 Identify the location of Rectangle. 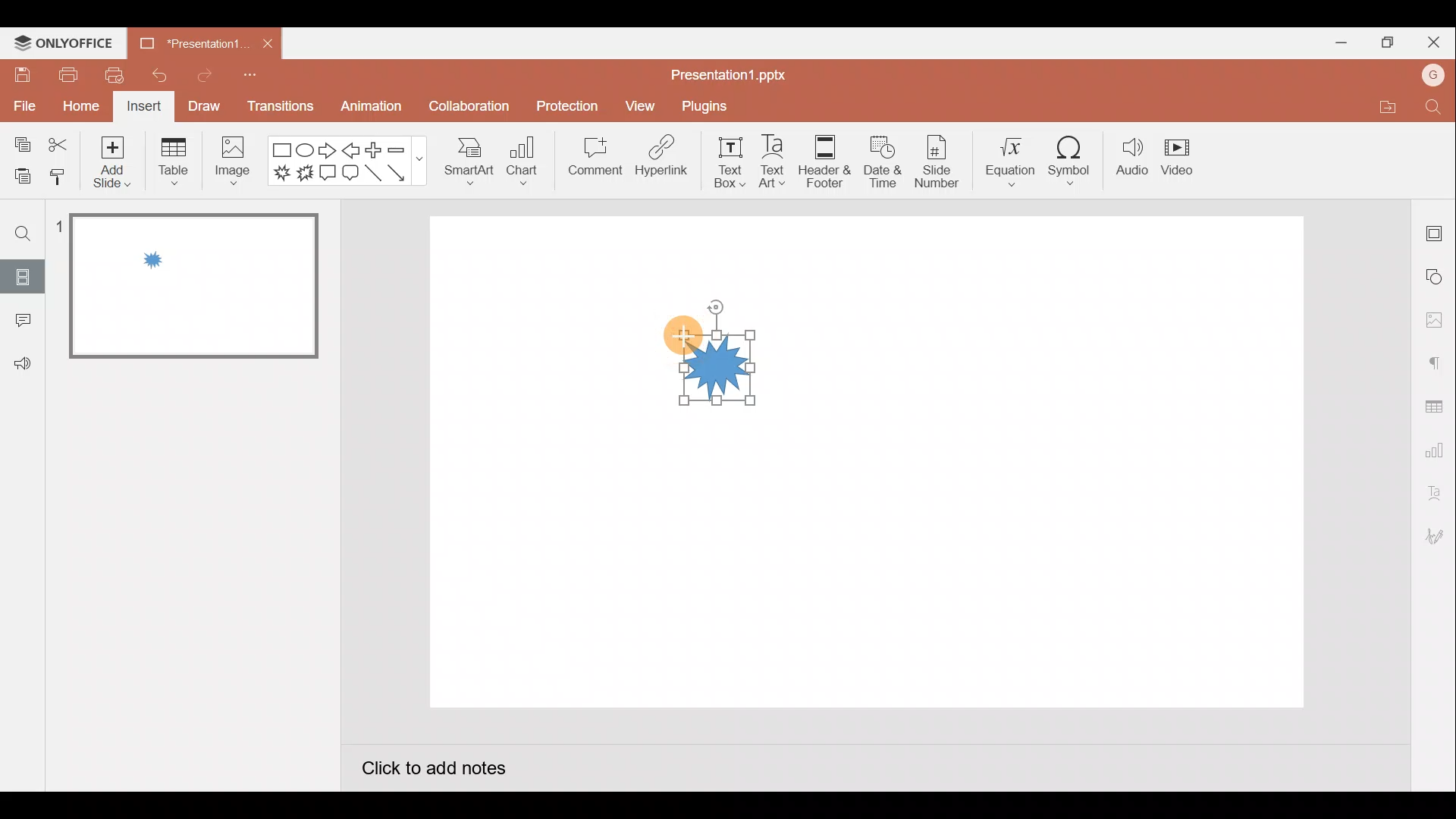
(281, 148).